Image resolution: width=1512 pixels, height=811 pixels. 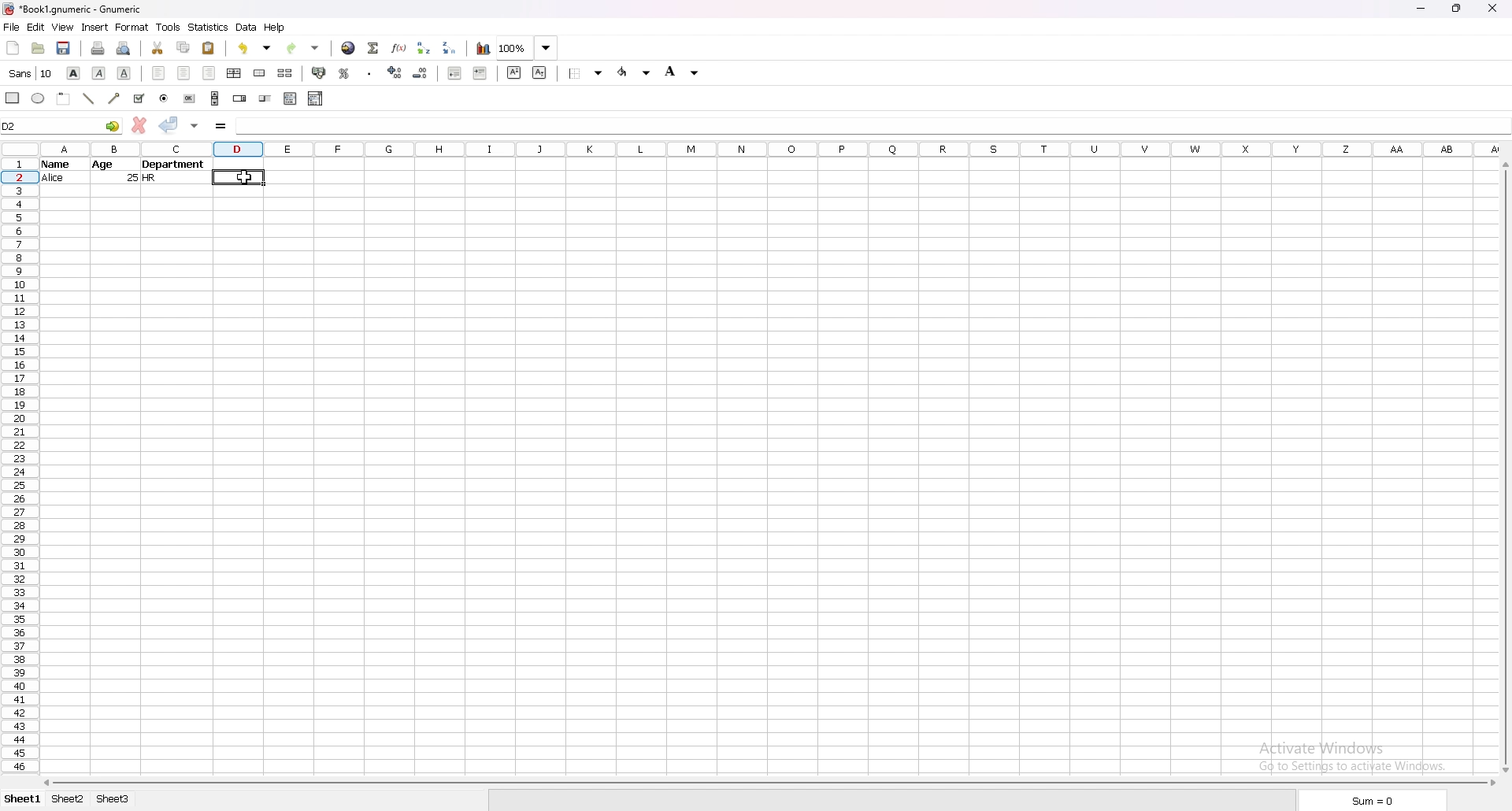 What do you see at coordinates (349, 47) in the screenshot?
I see `hyperlink` at bounding box center [349, 47].